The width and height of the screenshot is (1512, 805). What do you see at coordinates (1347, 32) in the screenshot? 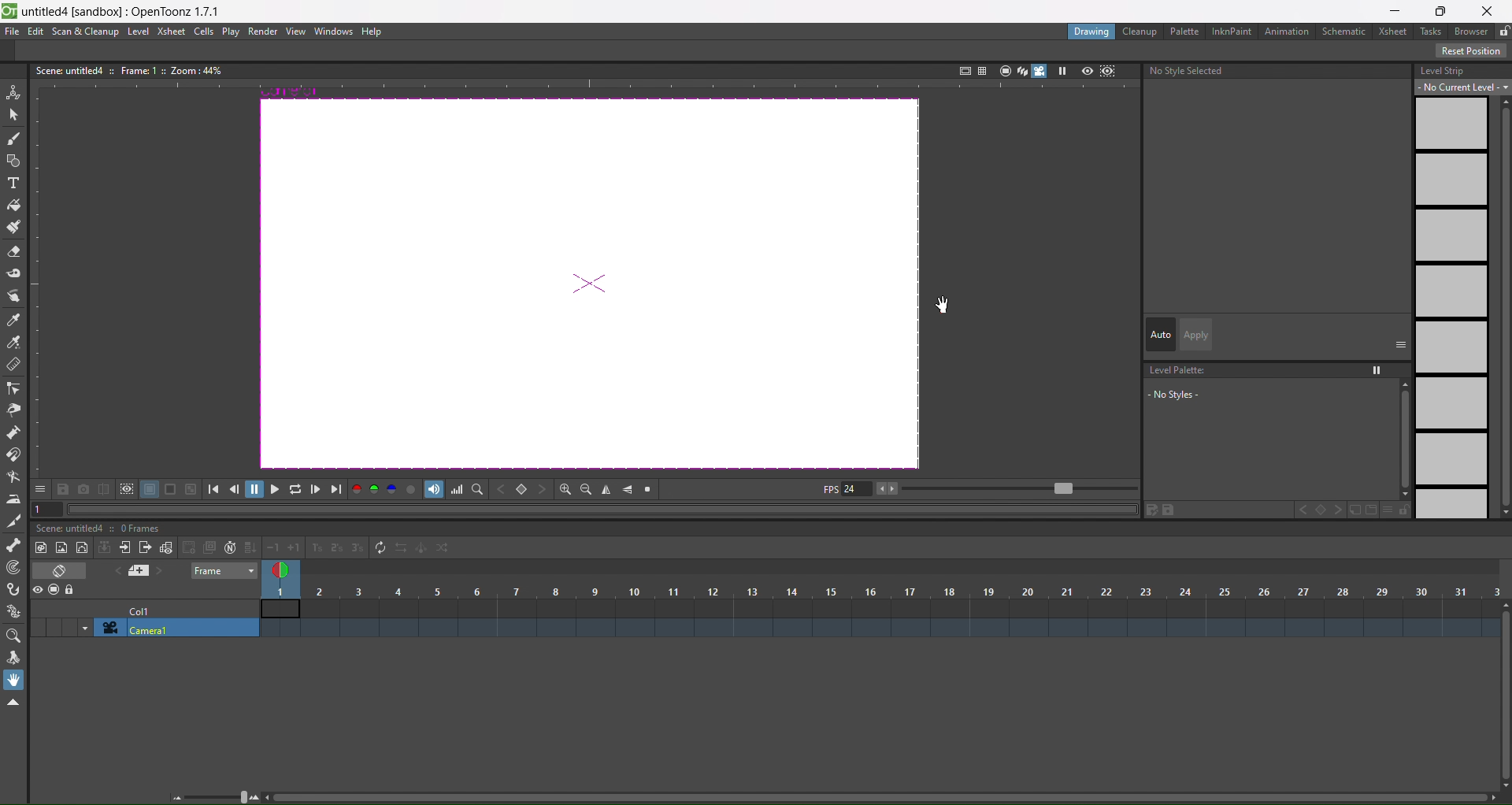
I see `schematic` at bounding box center [1347, 32].